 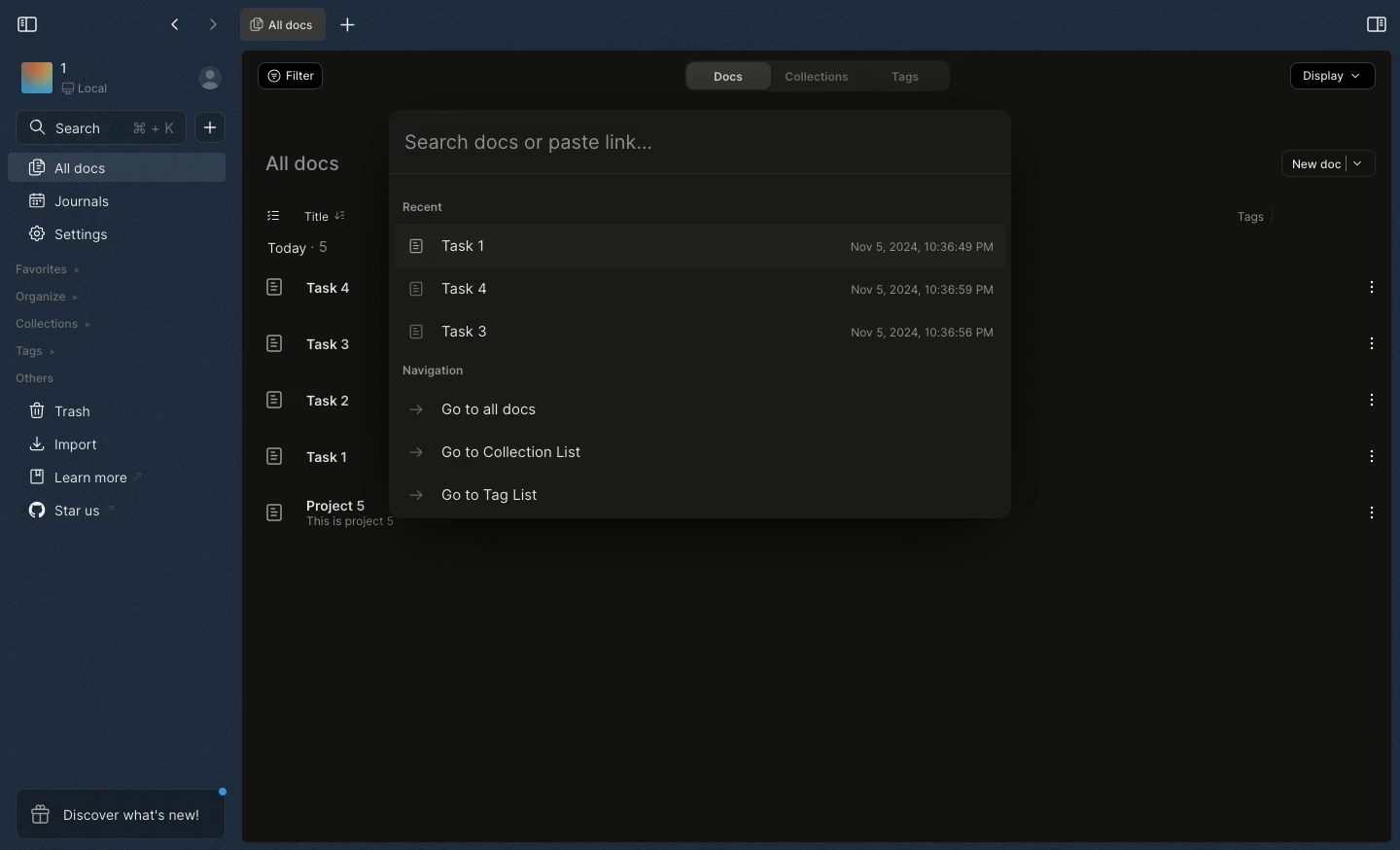 I want to click on Collections, so click(x=51, y=324).